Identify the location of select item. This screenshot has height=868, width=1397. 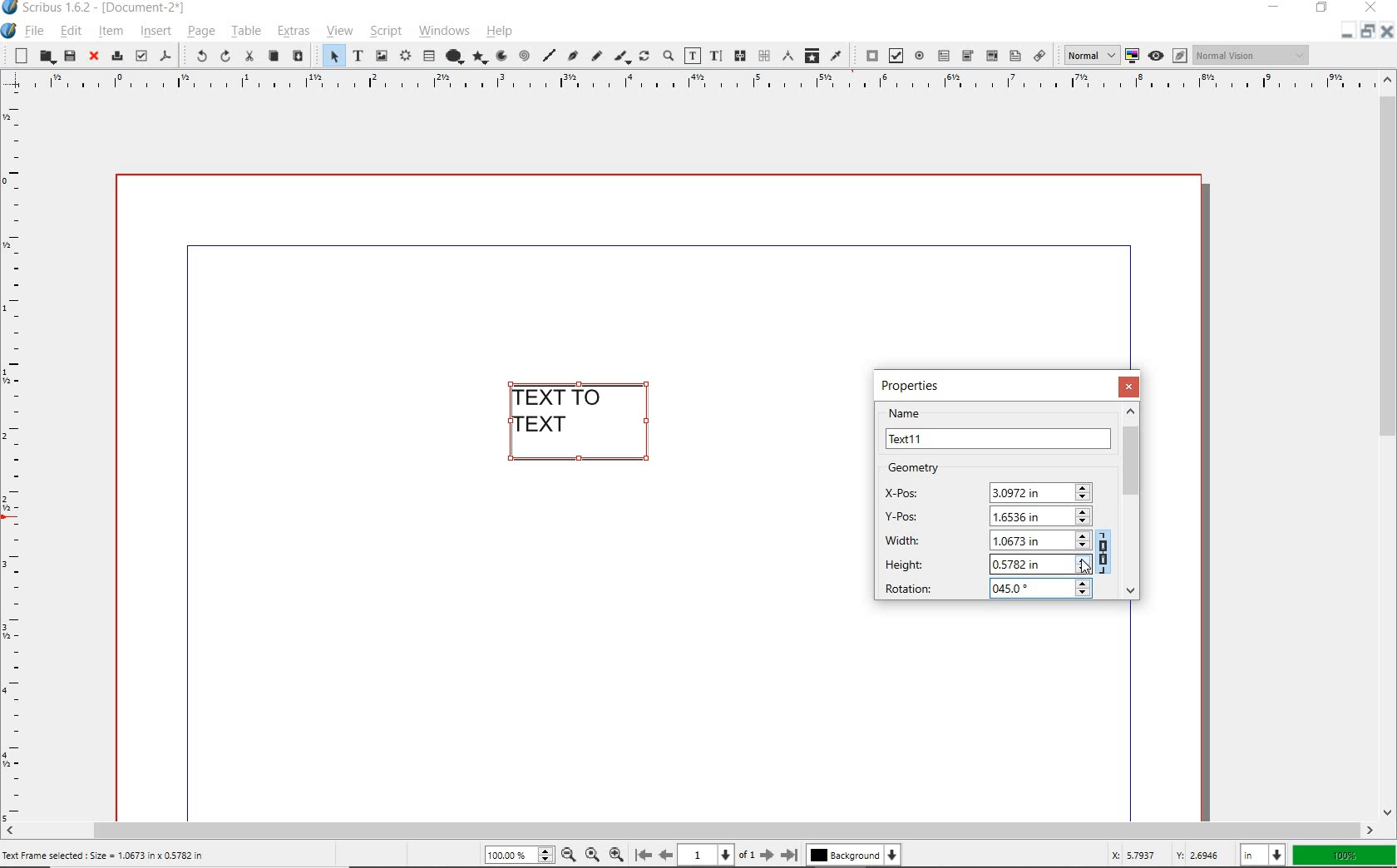
(330, 55).